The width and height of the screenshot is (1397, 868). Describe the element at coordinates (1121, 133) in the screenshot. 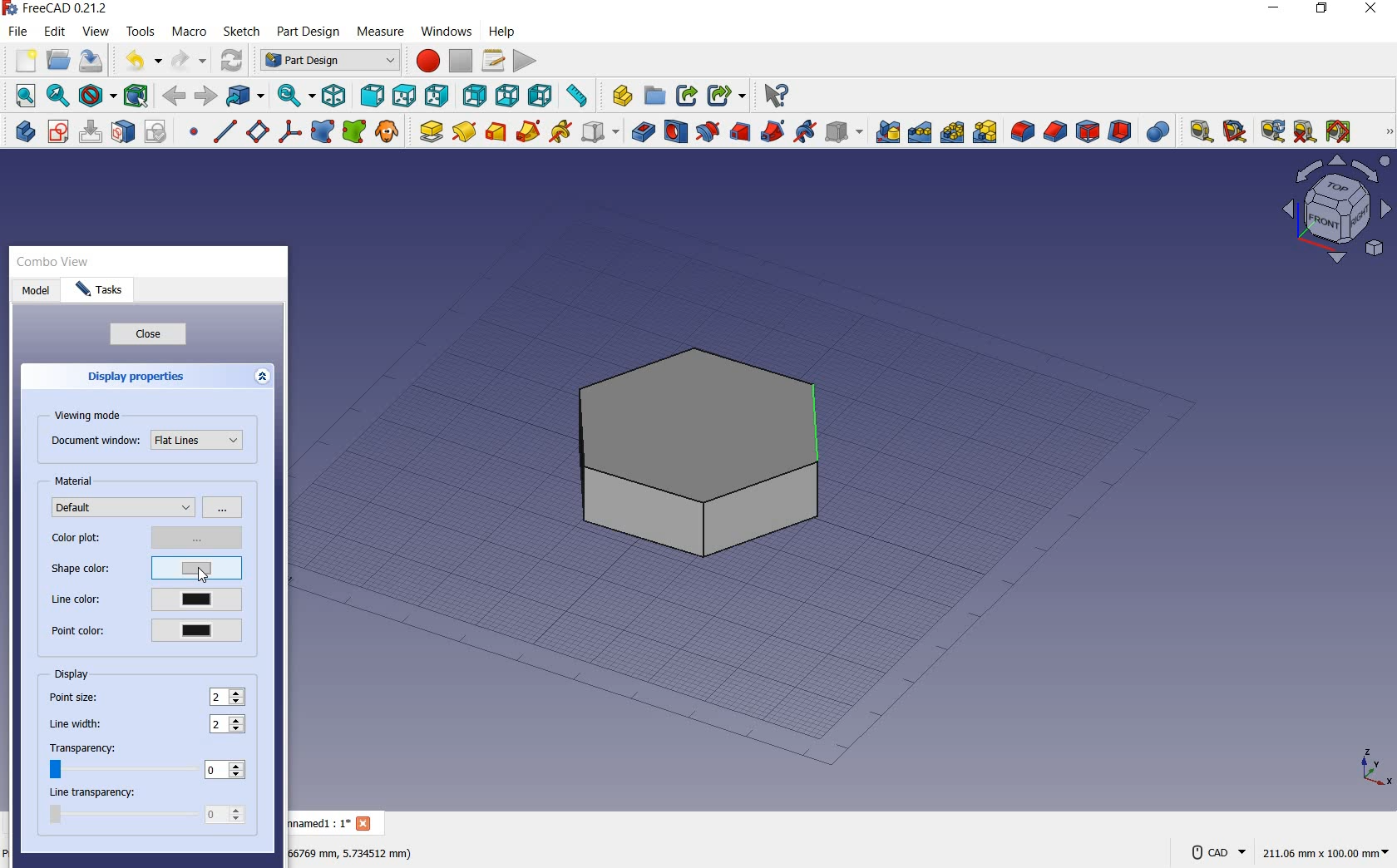

I see `thickness` at that location.